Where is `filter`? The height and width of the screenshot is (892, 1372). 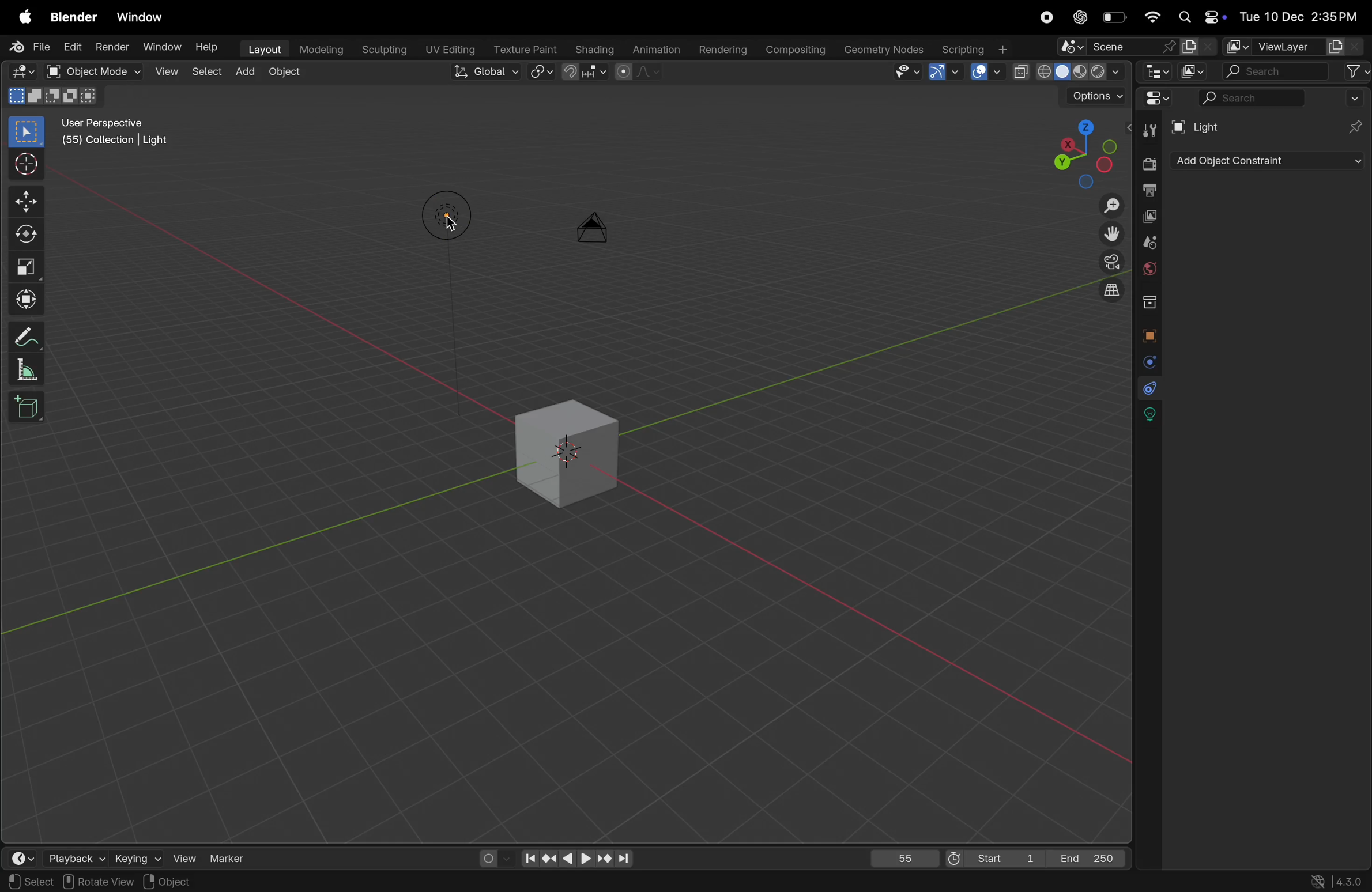
filter is located at coordinates (1356, 71).